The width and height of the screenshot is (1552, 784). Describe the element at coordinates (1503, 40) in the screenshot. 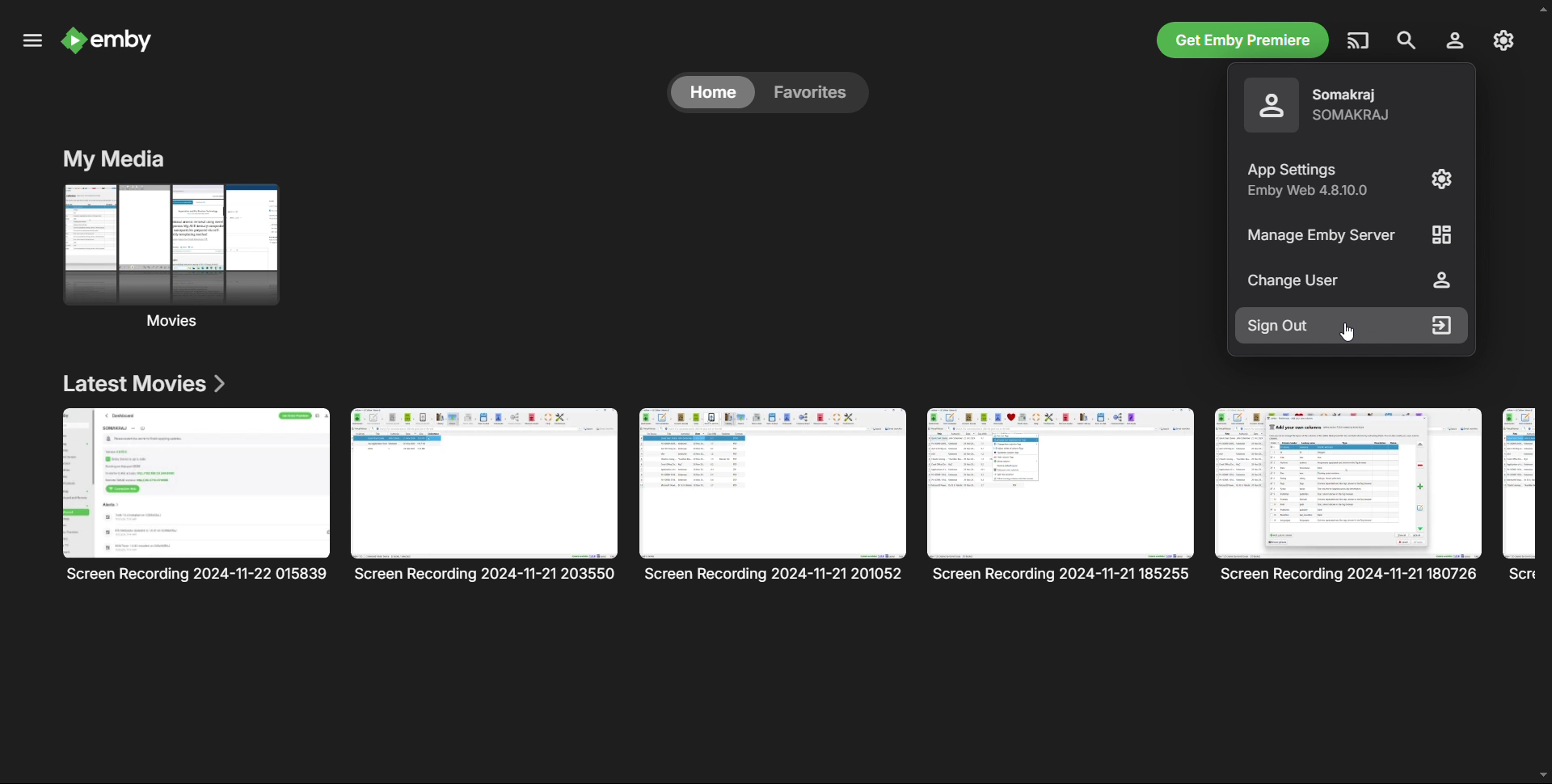

I see `settings` at that location.